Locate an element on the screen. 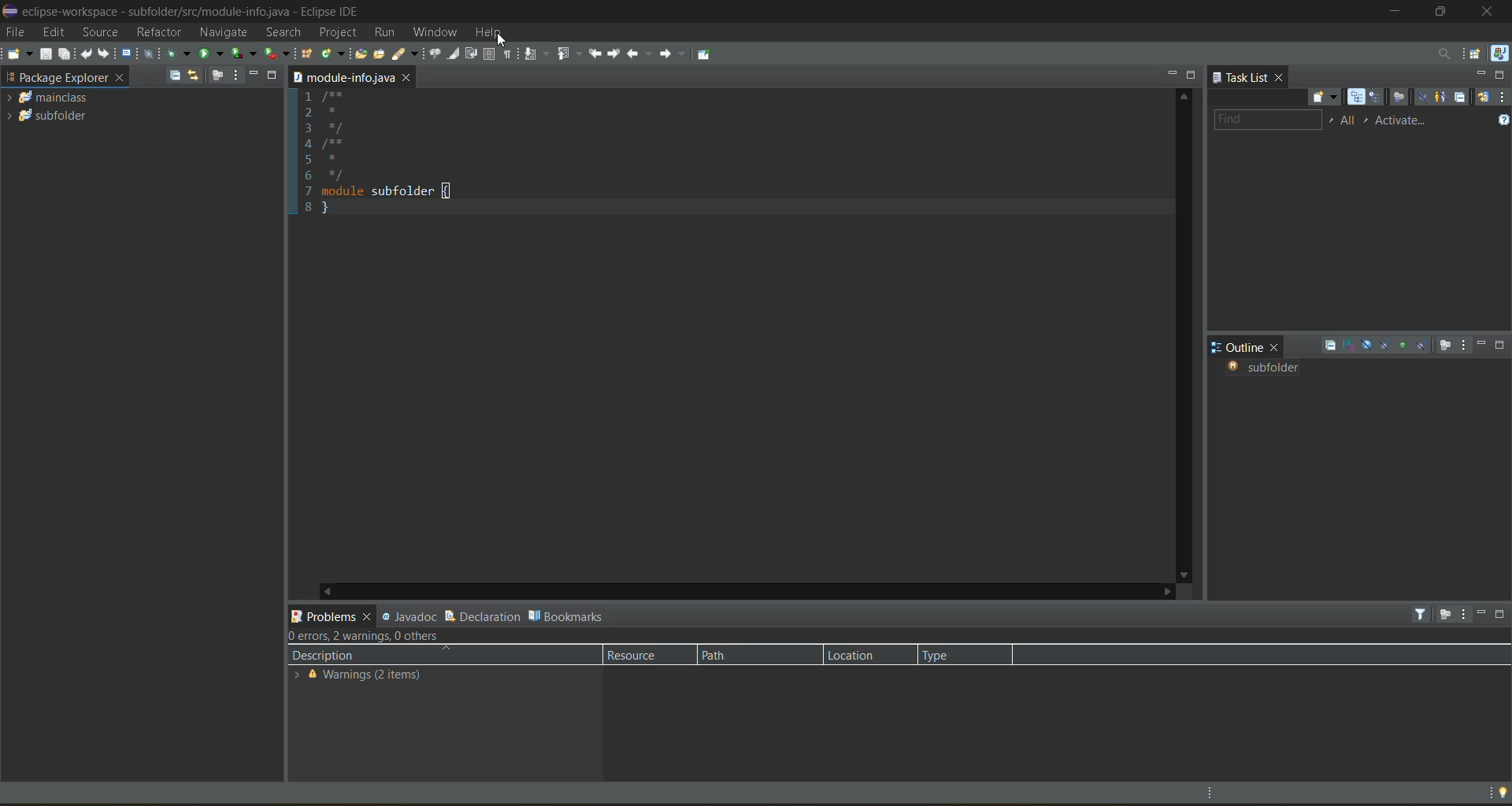 The width and height of the screenshot is (1512, 806). focus on active task is located at coordinates (1447, 346).